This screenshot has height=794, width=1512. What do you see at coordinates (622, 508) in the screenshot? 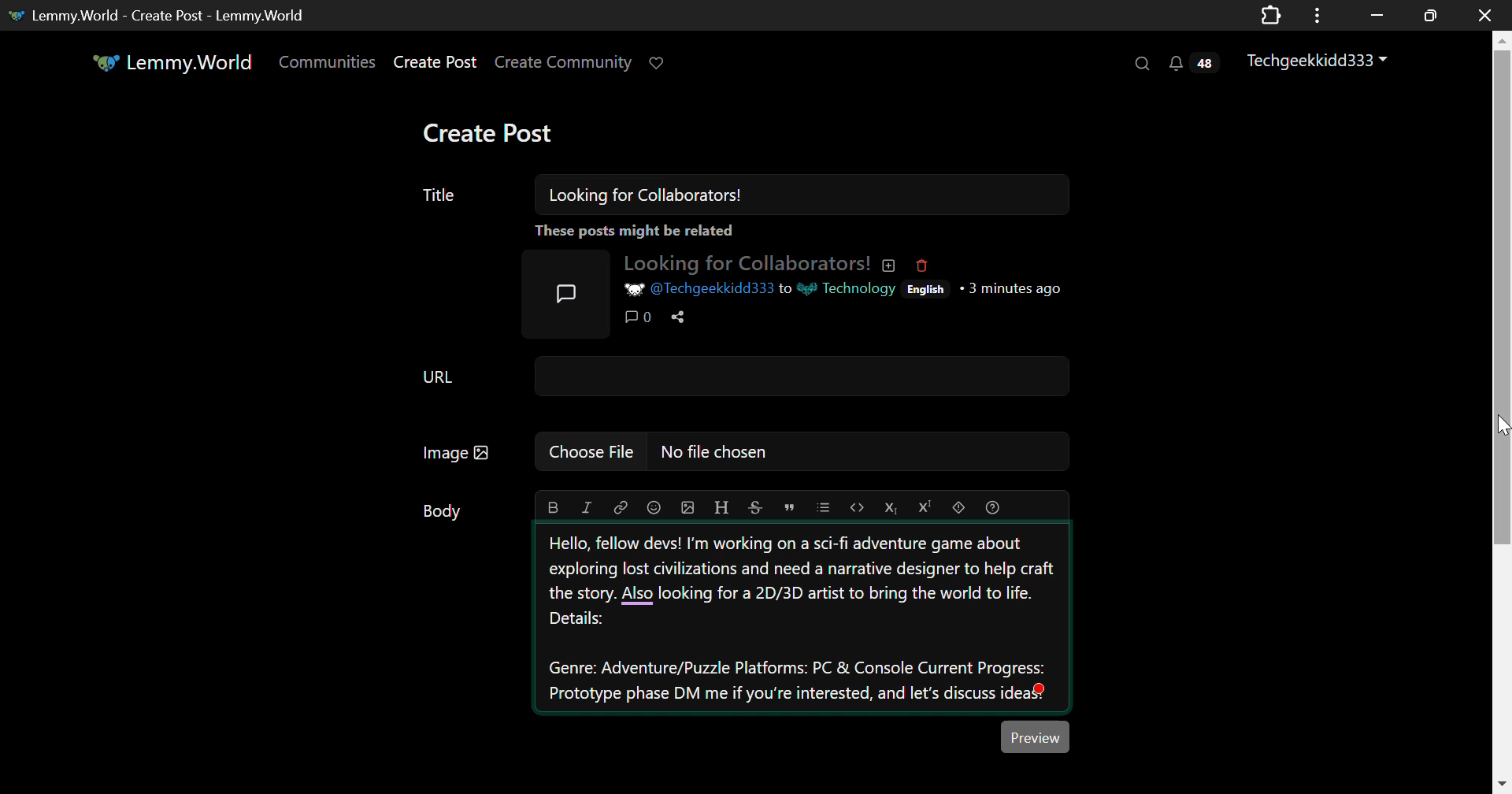
I see `link` at bounding box center [622, 508].